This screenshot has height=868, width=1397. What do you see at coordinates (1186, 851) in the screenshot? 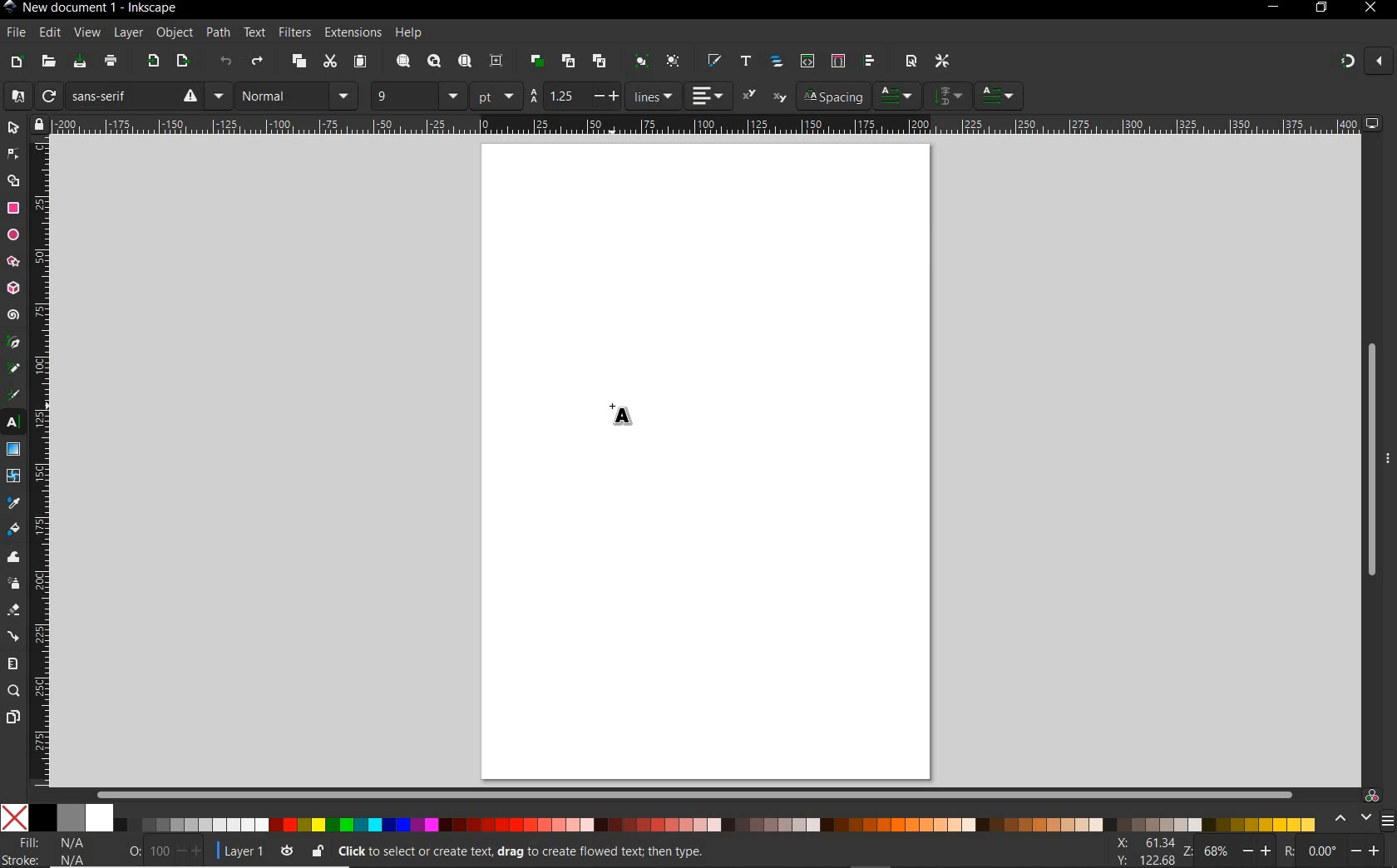
I see `zoom` at bounding box center [1186, 851].